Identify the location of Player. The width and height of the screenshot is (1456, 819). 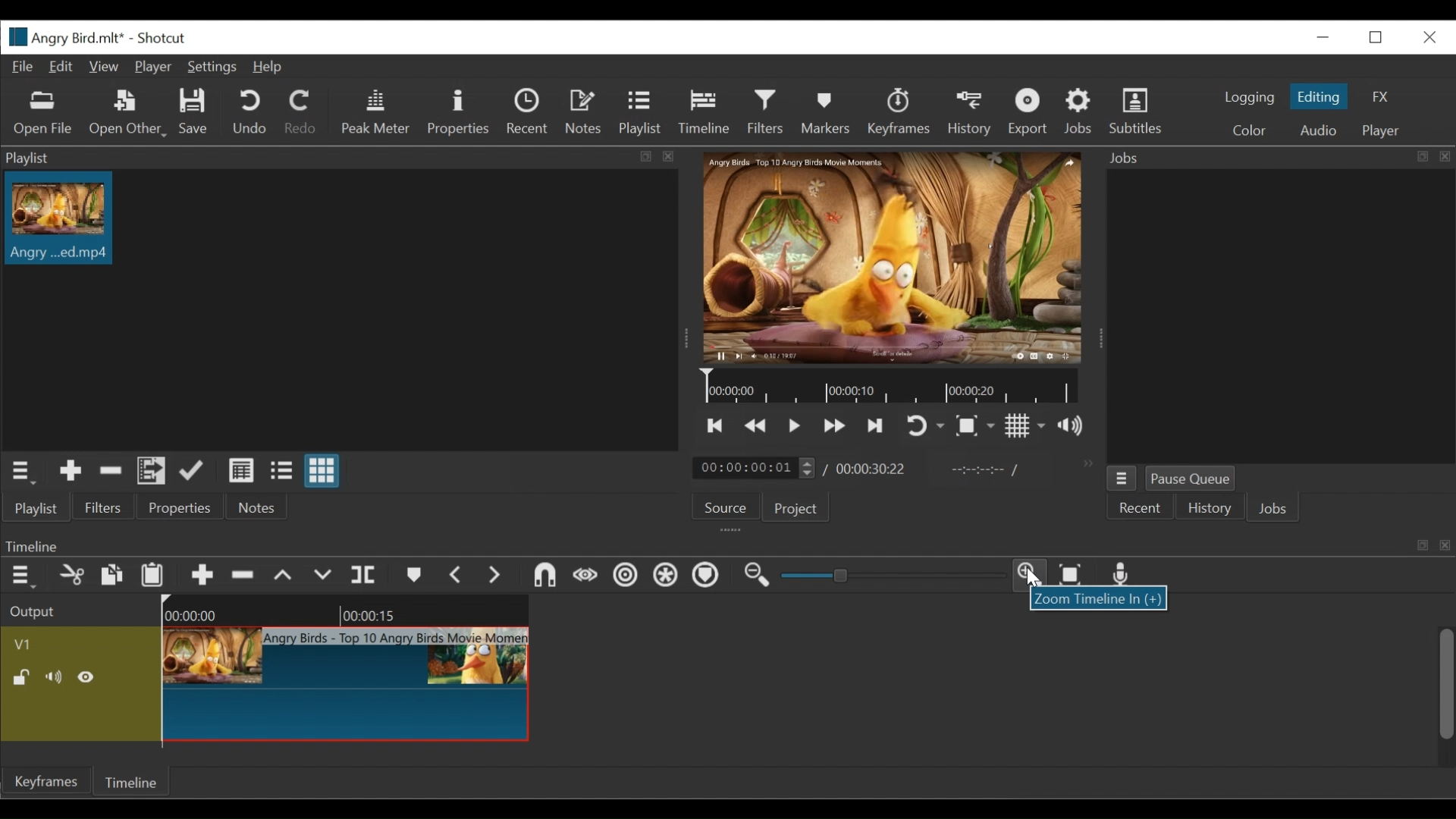
(1382, 130).